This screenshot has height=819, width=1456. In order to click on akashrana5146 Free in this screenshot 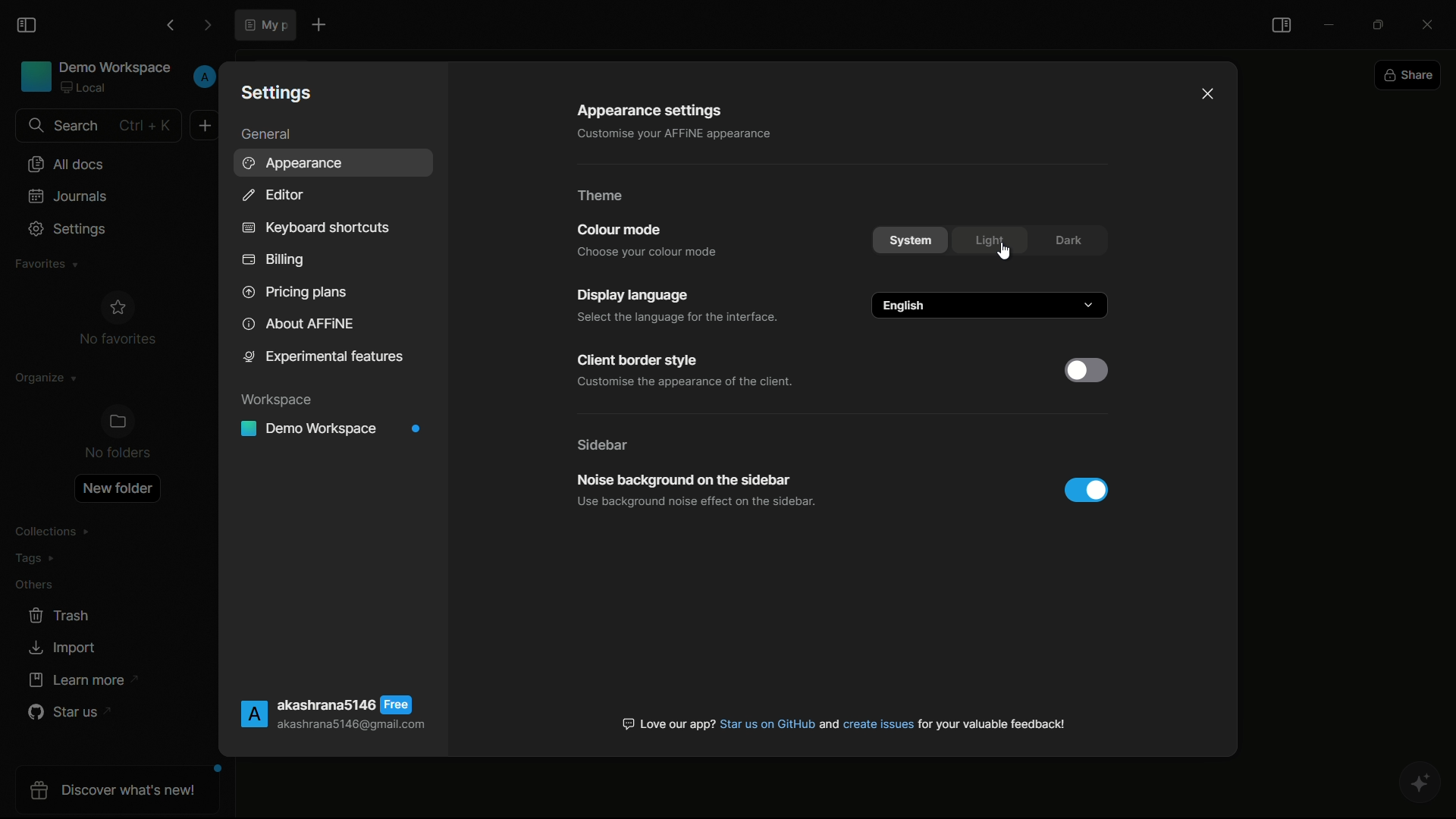, I will do `click(327, 705)`.